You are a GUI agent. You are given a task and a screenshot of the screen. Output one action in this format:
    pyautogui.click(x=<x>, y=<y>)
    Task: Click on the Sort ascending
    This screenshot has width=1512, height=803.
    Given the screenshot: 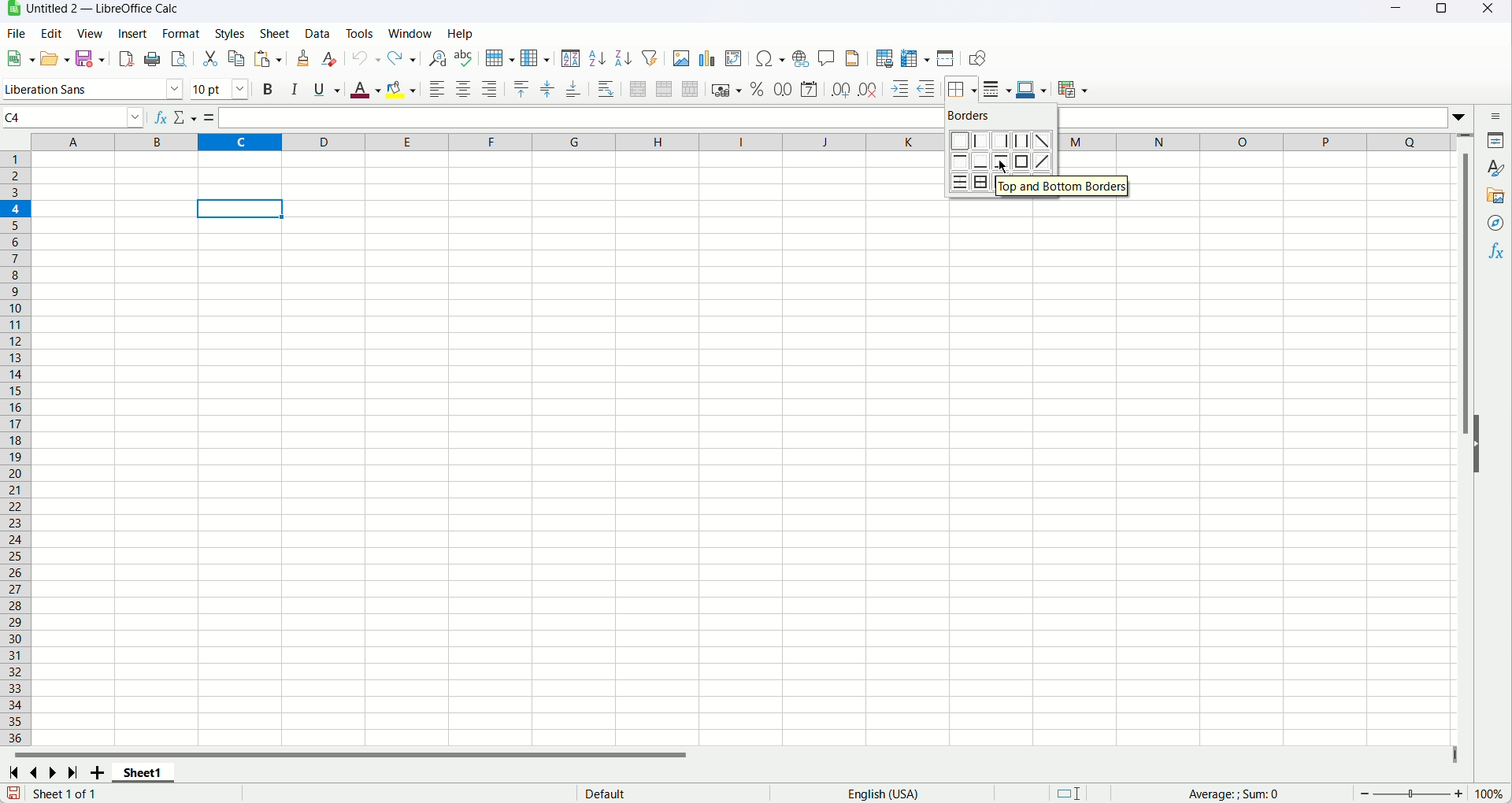 What is the action you would take?
    pyautogui.click(x=598, y=59)
    